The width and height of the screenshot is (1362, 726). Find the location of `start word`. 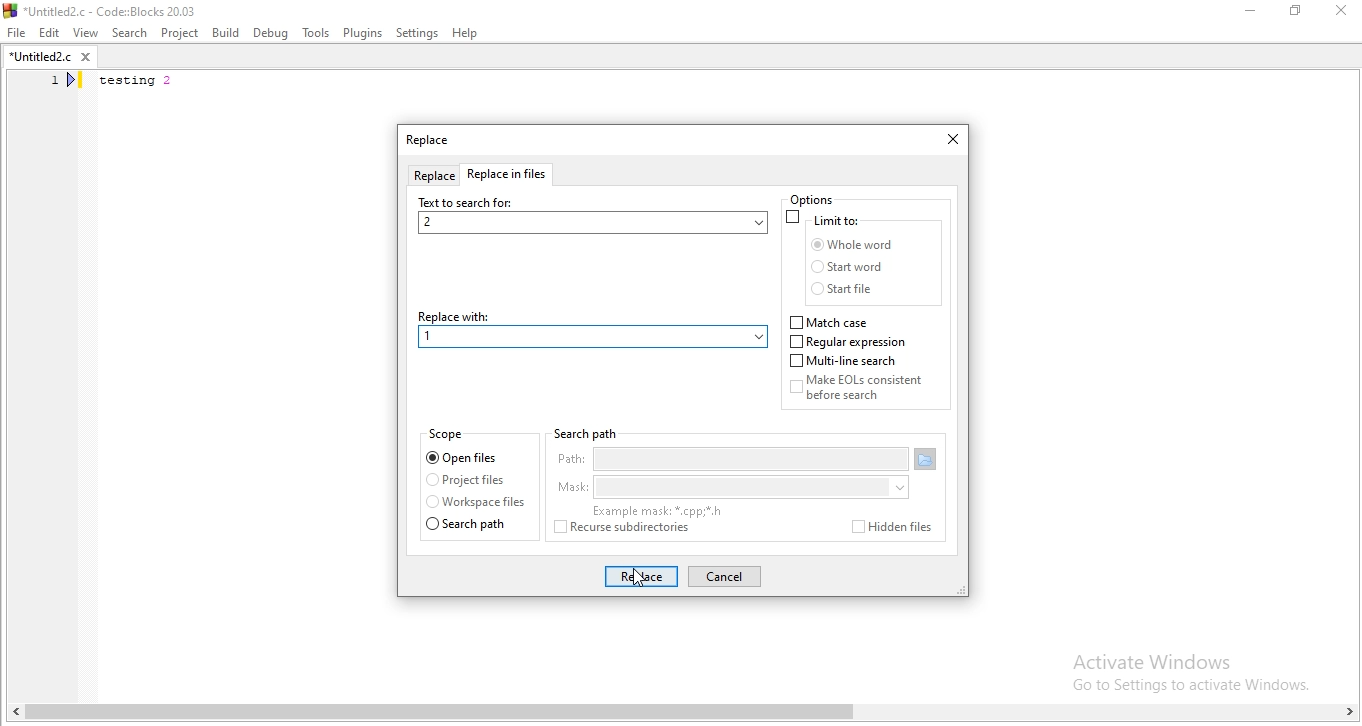

start word is located at coordinates (850, 268).